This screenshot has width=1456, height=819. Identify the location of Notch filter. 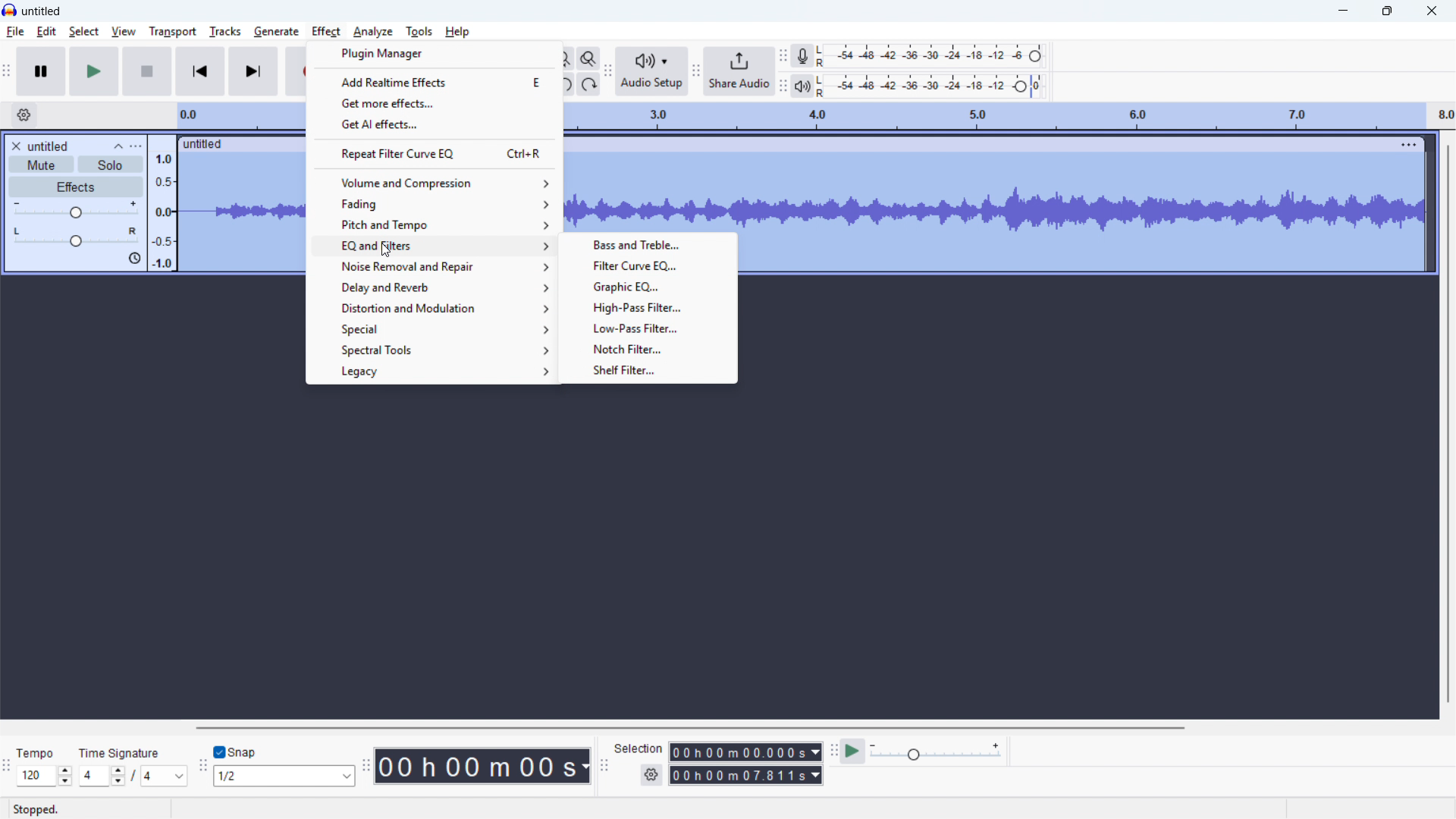
(645, 348).